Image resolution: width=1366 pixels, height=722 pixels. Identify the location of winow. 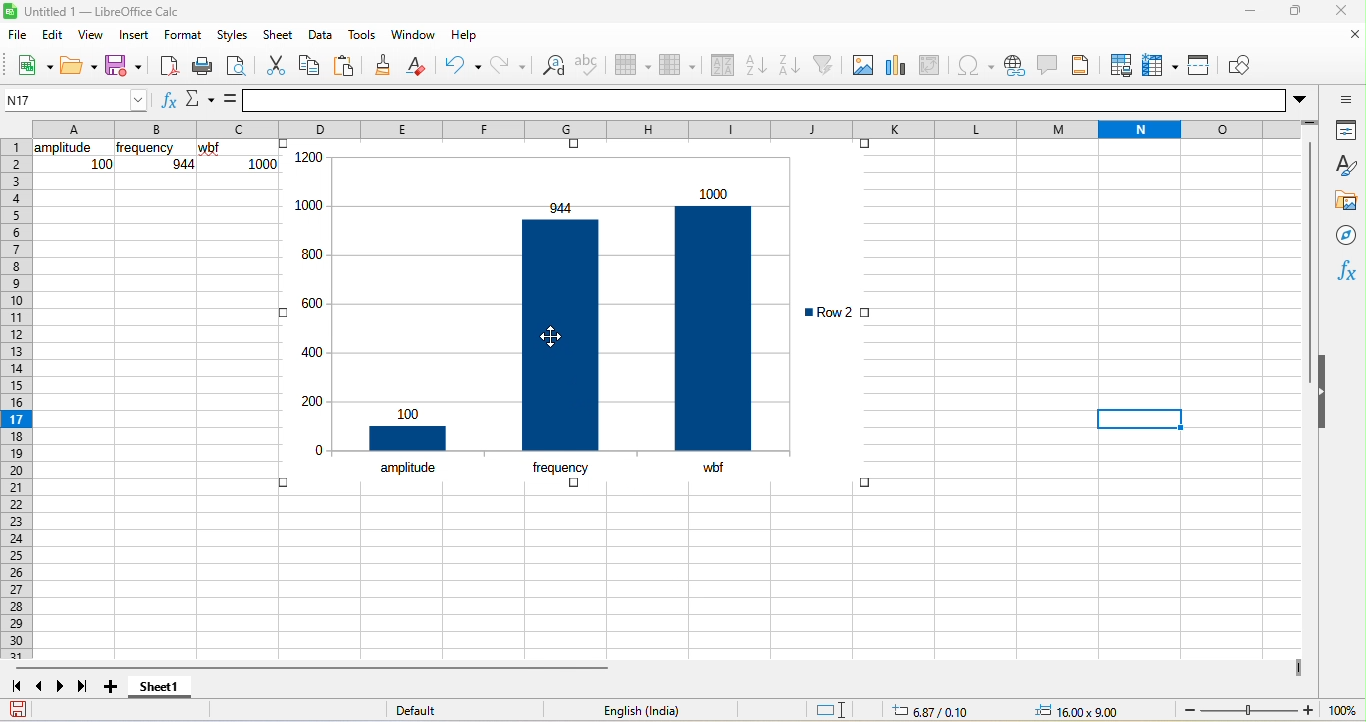
(414, 37).